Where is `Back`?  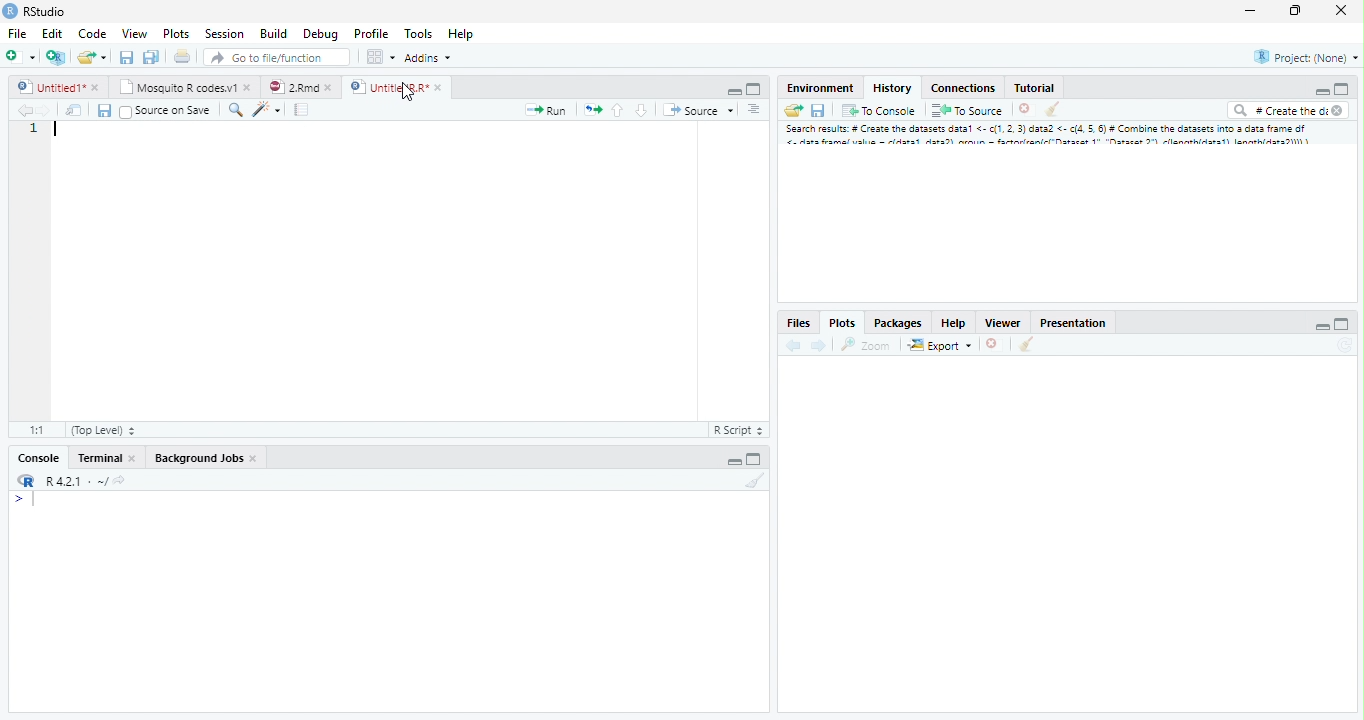
Back is located at coordinates (17, 113).